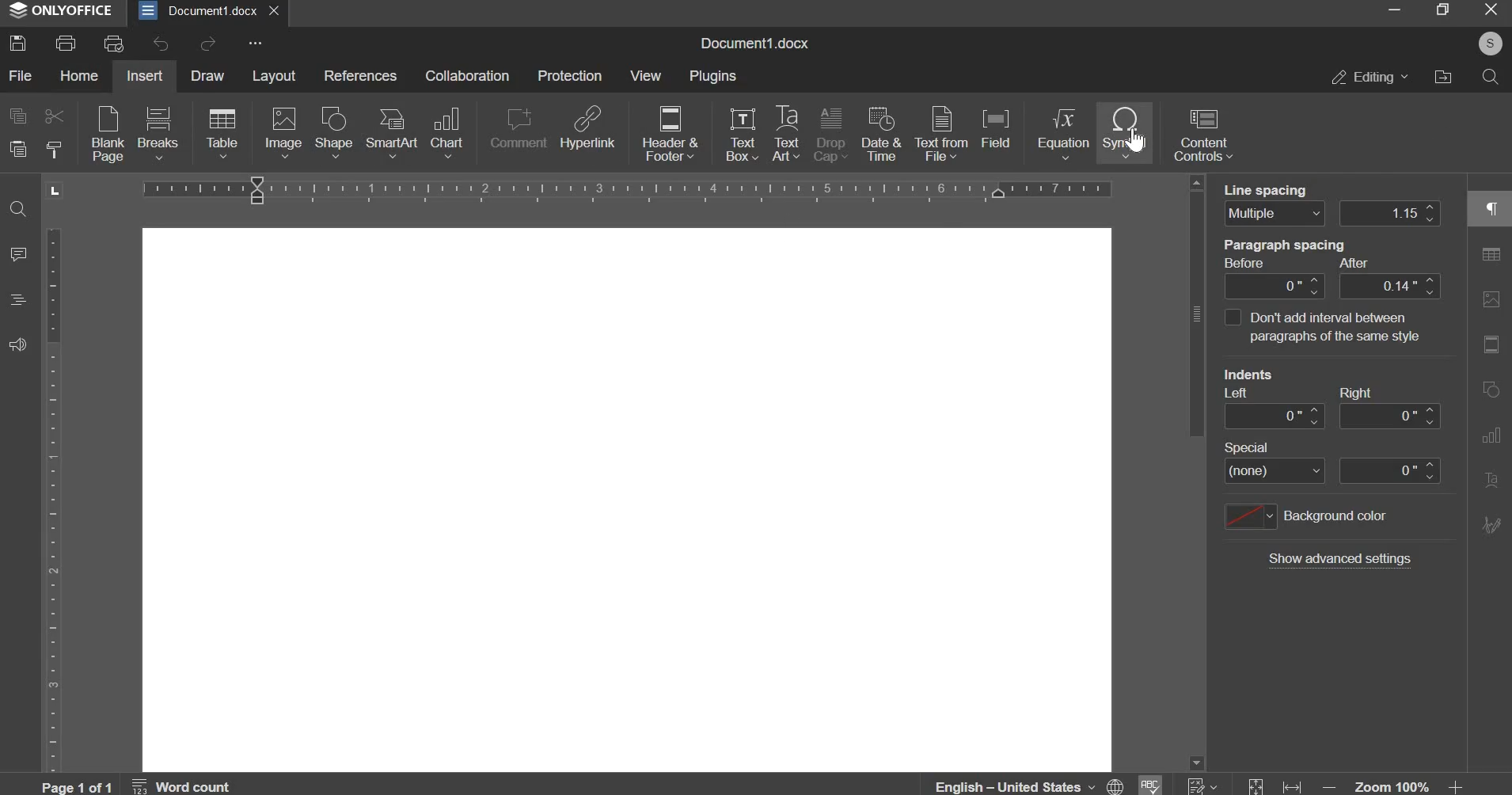 This screenshot has height=795, width=1512. I want to click on plugins, so click(713, 77).